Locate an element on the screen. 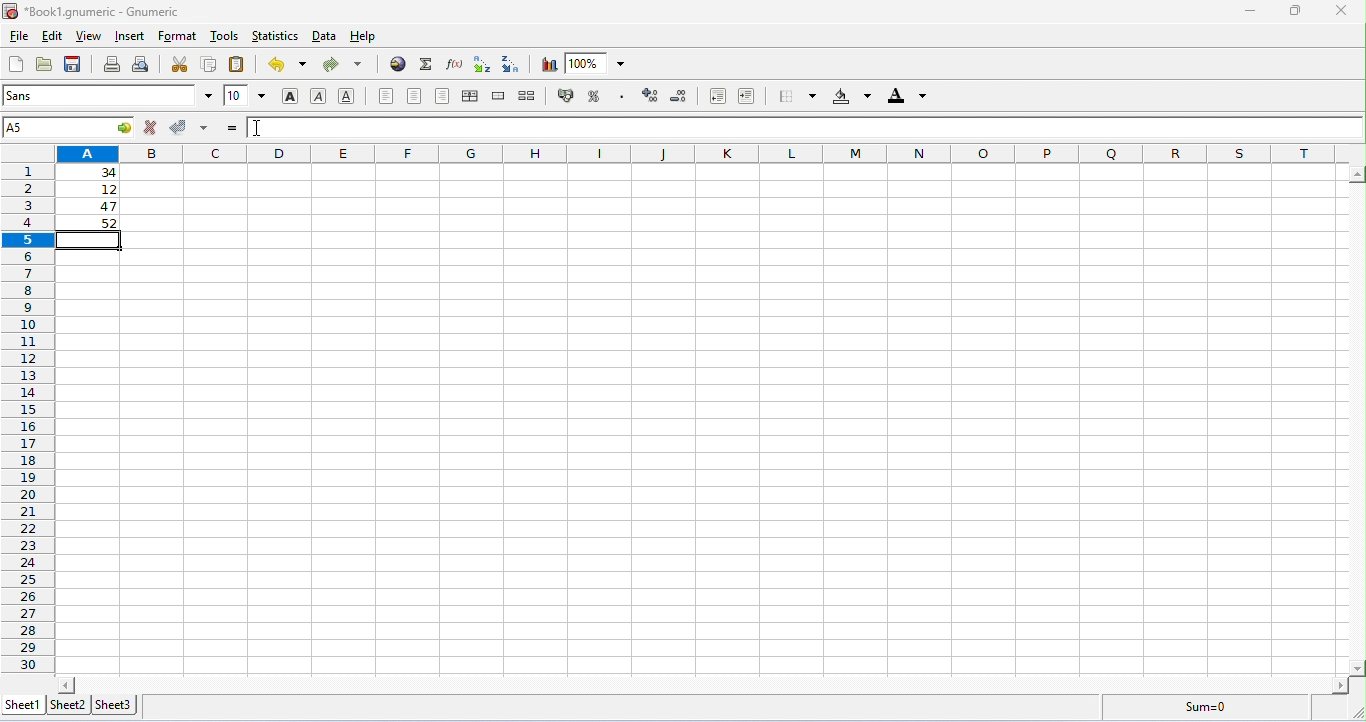  foreground is located at coordinates (907, 95).